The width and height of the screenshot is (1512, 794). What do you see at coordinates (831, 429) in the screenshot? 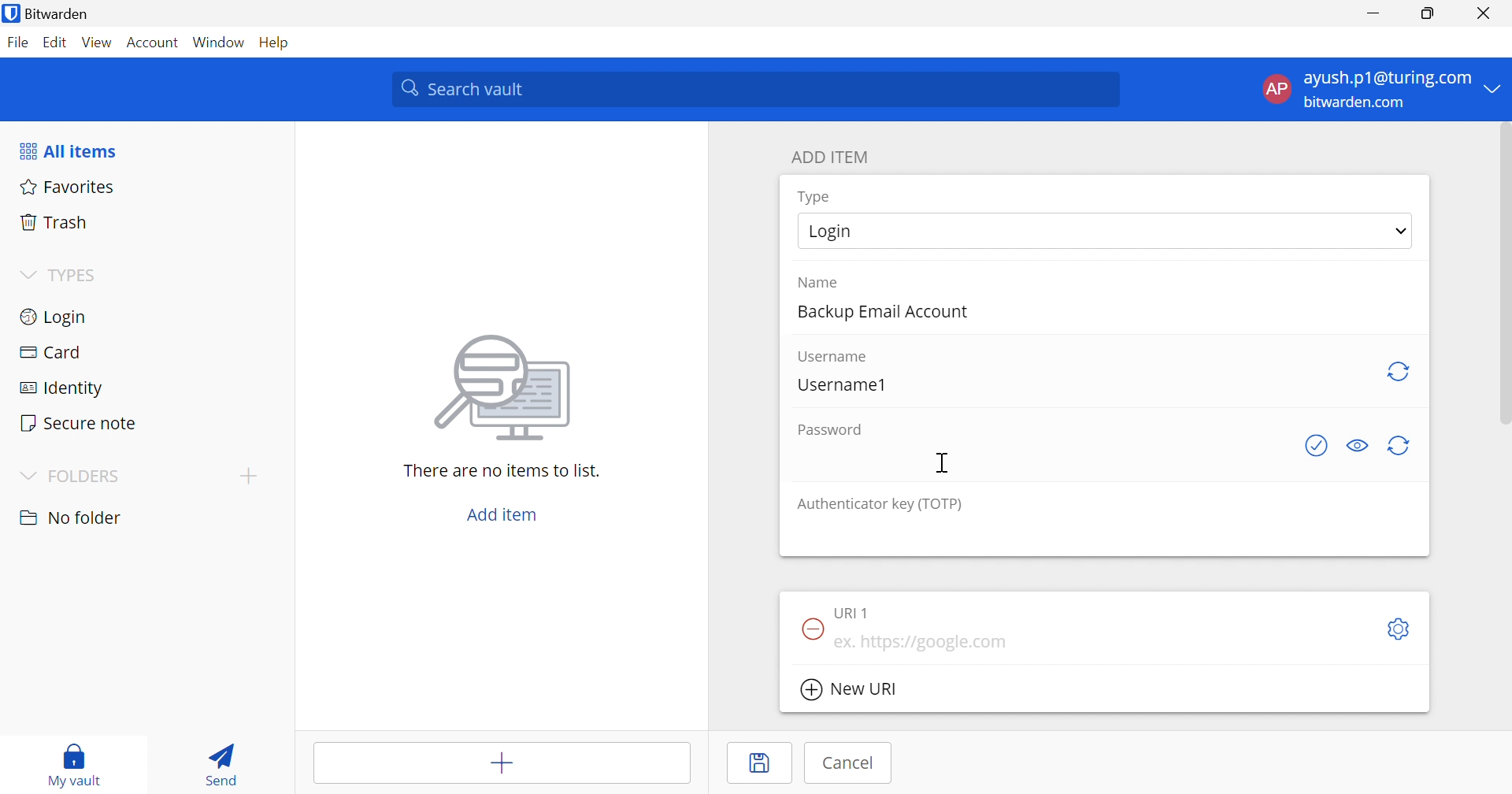
I see `Password` at bounding box center [831, 429].